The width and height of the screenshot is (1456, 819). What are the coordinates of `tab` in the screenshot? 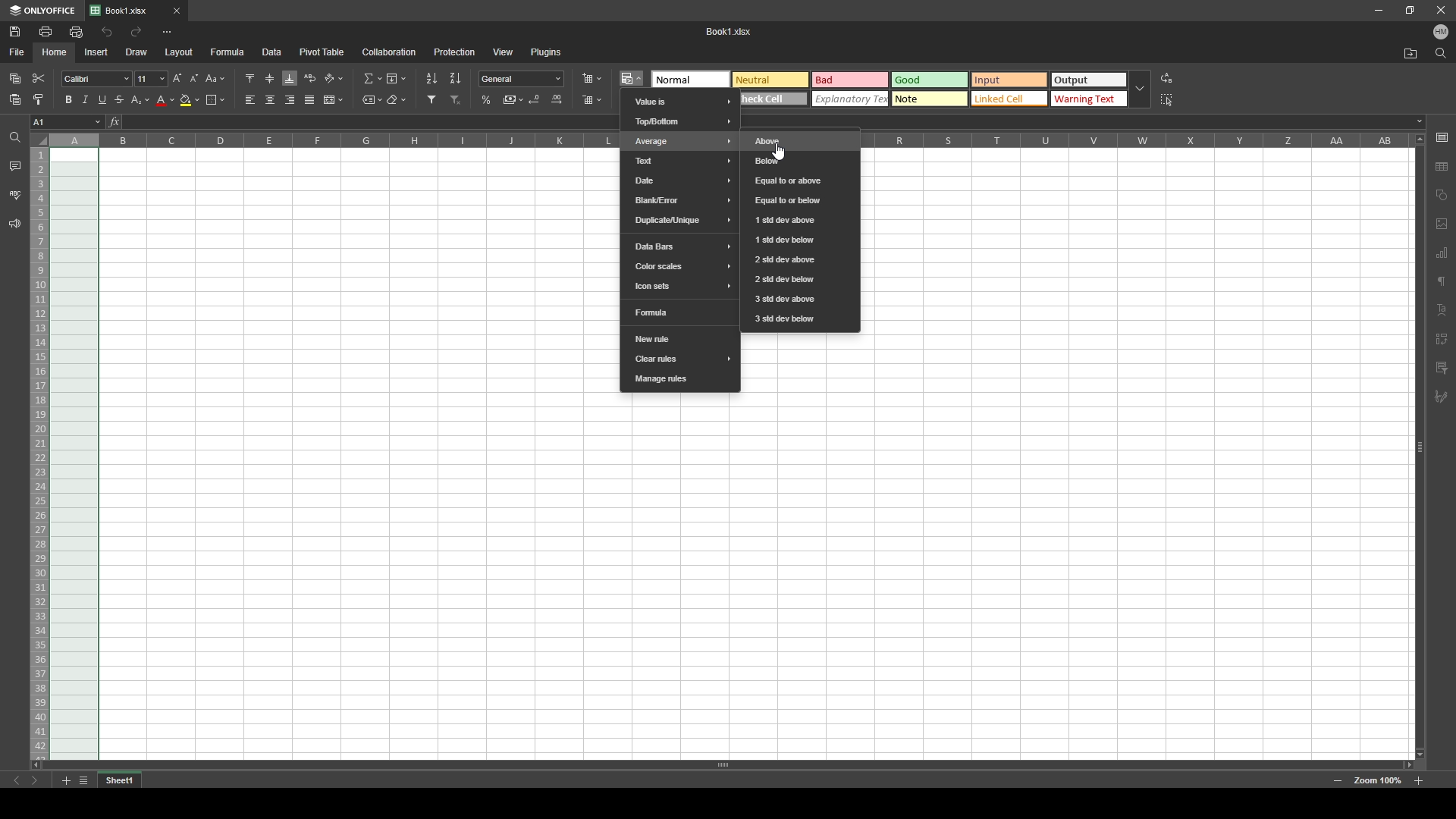 It's located at (127, 11).